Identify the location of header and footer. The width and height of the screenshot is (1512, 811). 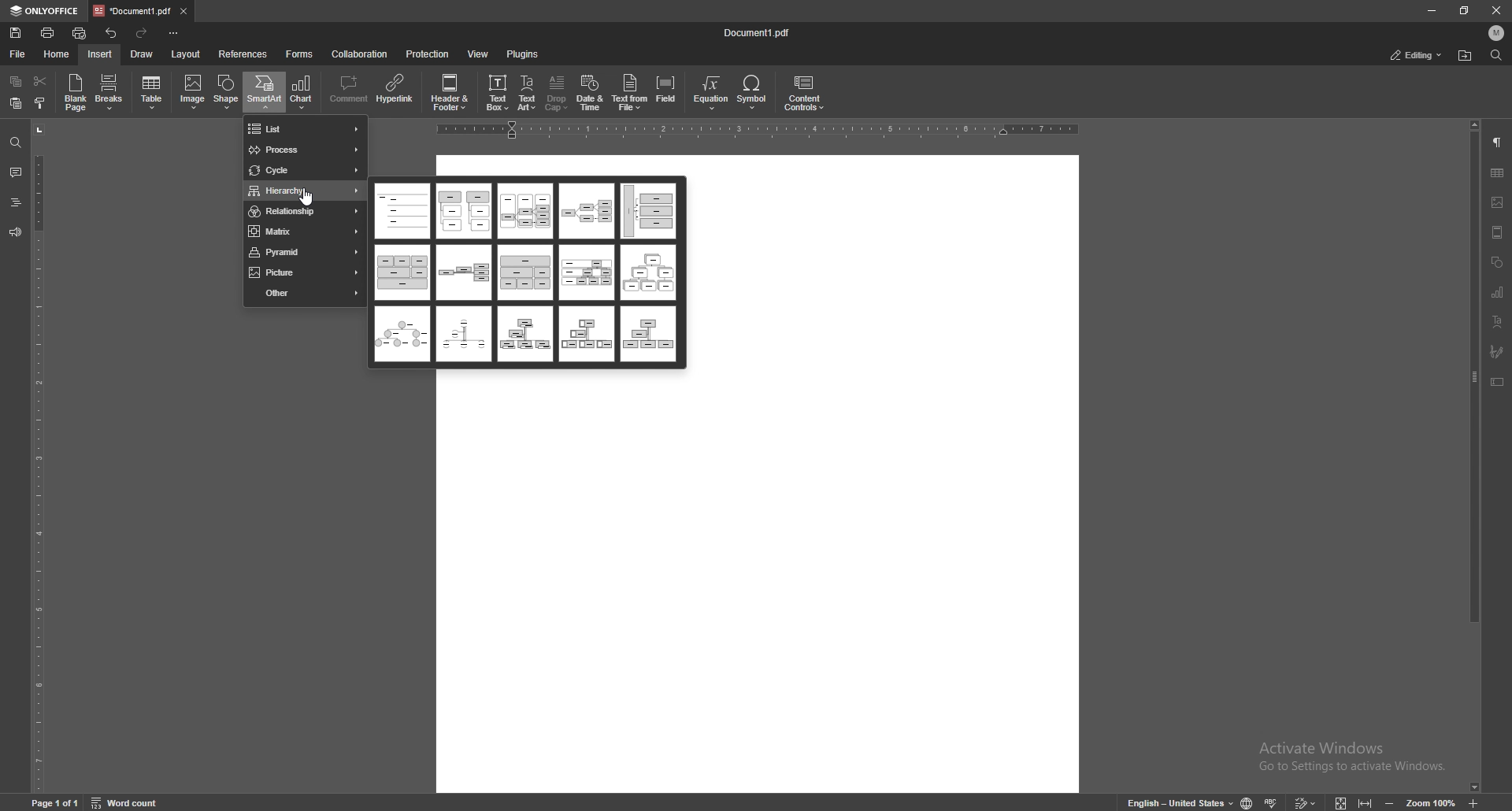
(450, 91).